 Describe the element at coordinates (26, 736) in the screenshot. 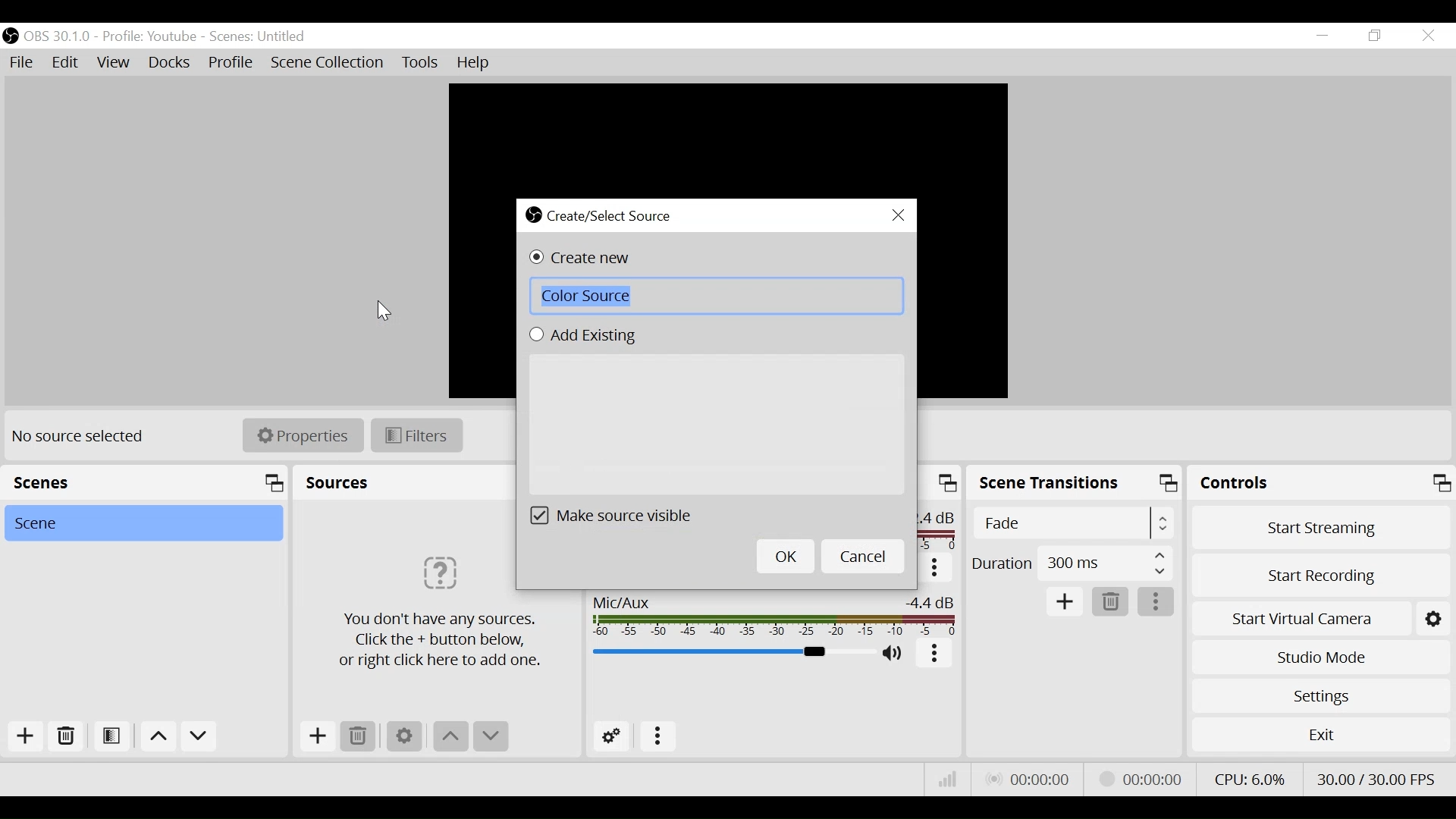

I see `Add` at that location.